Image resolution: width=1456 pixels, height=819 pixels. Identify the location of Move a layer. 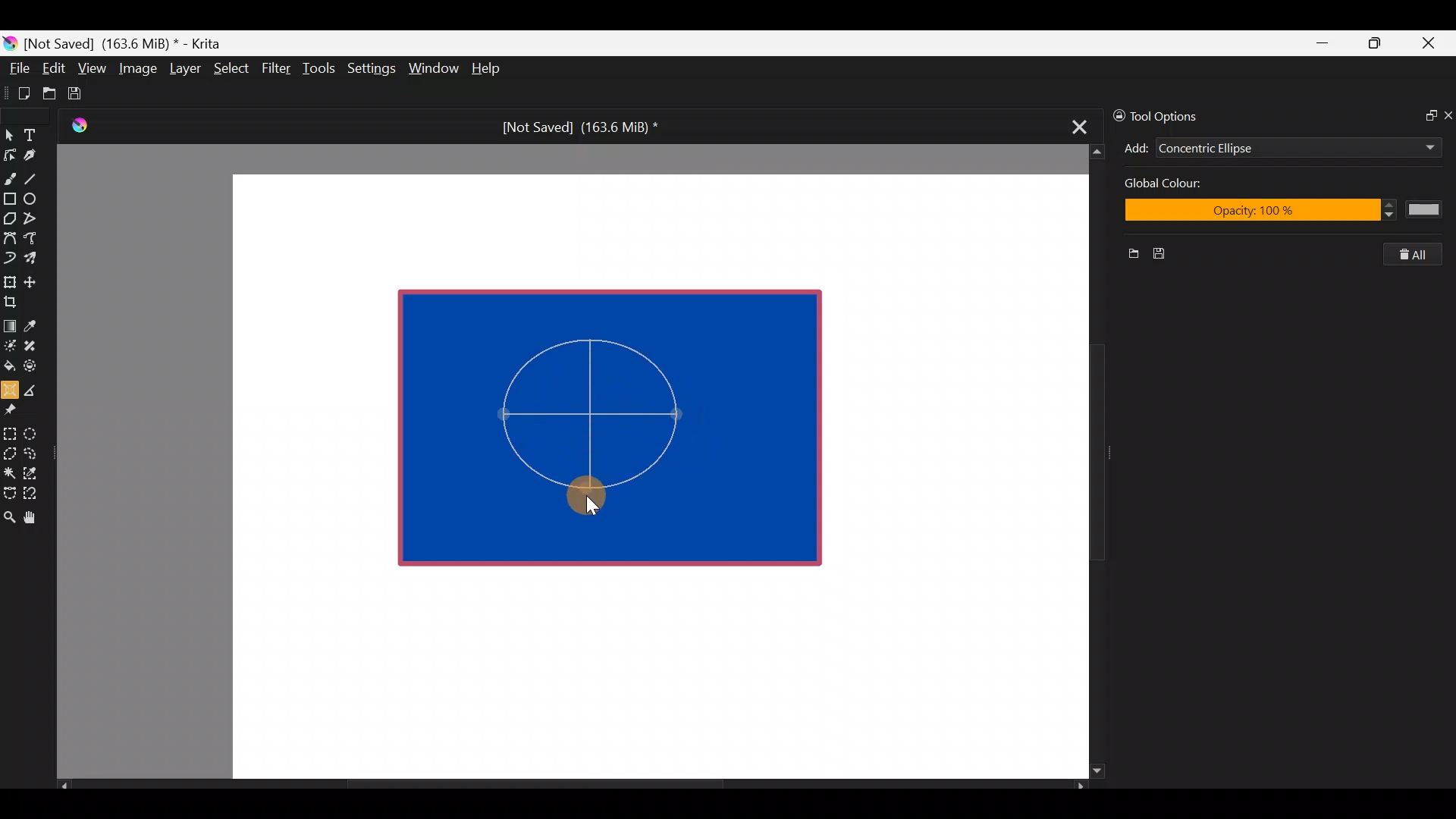
(35, 280).